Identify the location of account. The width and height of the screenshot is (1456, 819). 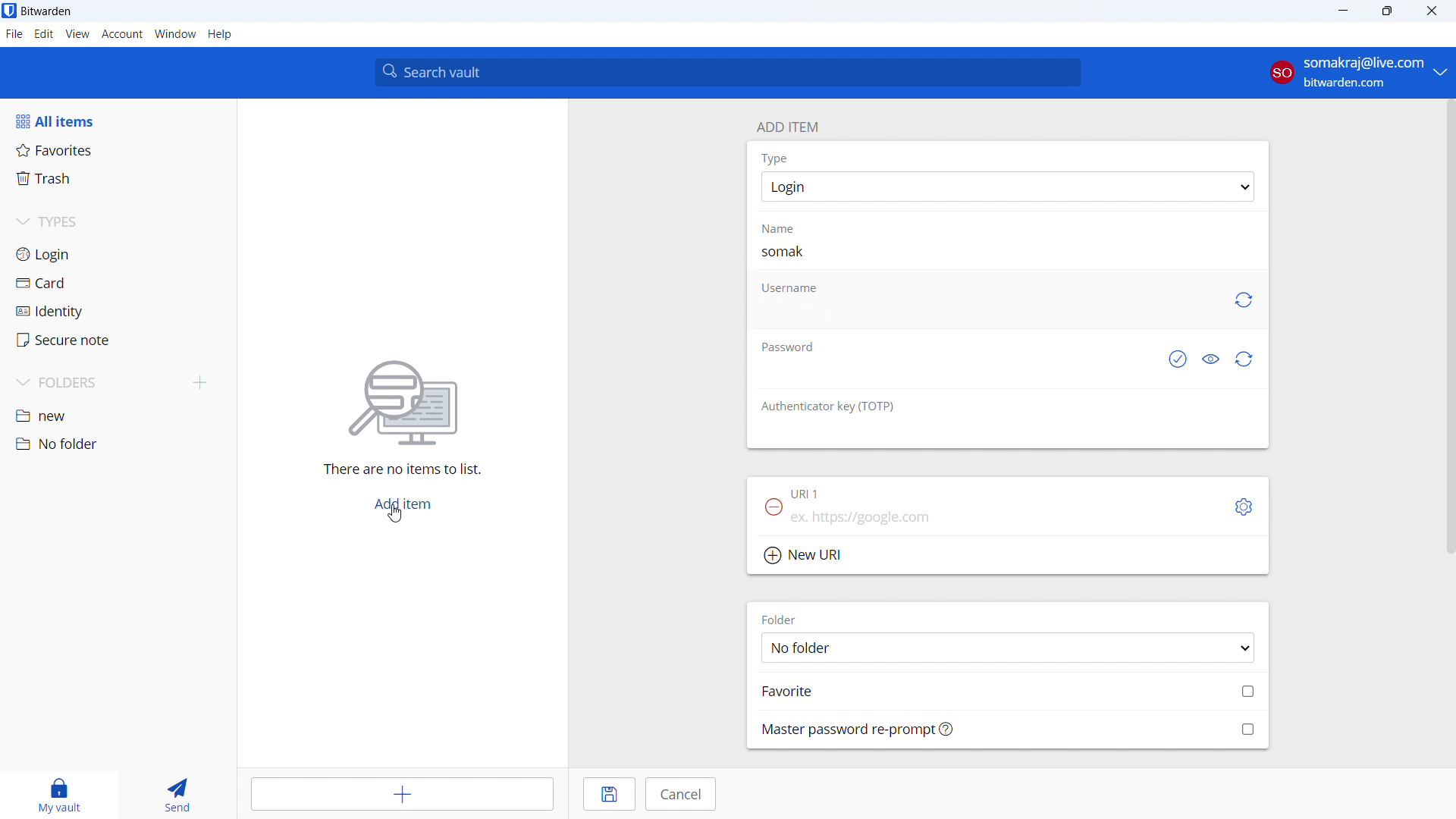
(122, 34).